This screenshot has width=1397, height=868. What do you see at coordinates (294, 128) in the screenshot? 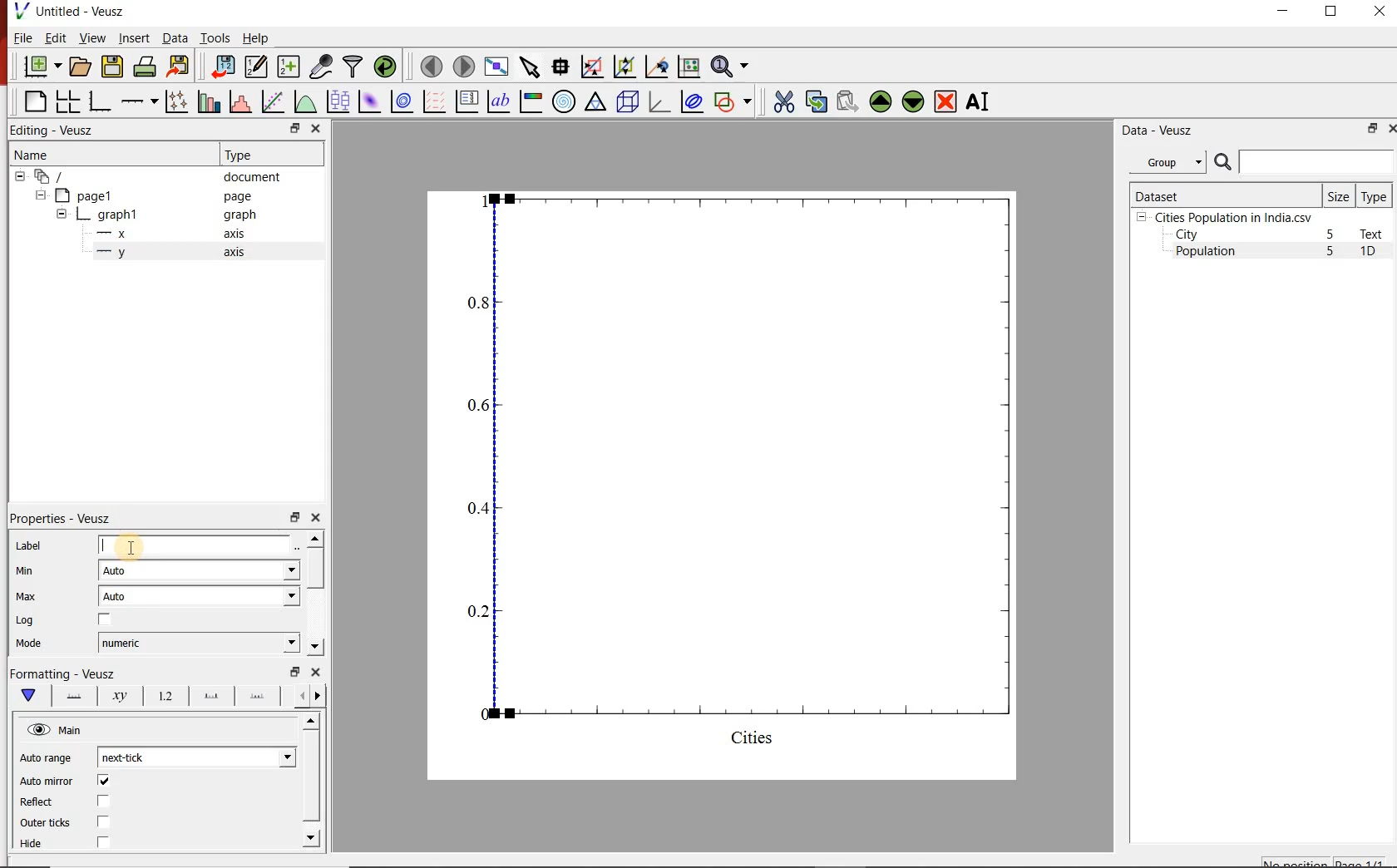
I see `restore` at bounding box center [294, 128].